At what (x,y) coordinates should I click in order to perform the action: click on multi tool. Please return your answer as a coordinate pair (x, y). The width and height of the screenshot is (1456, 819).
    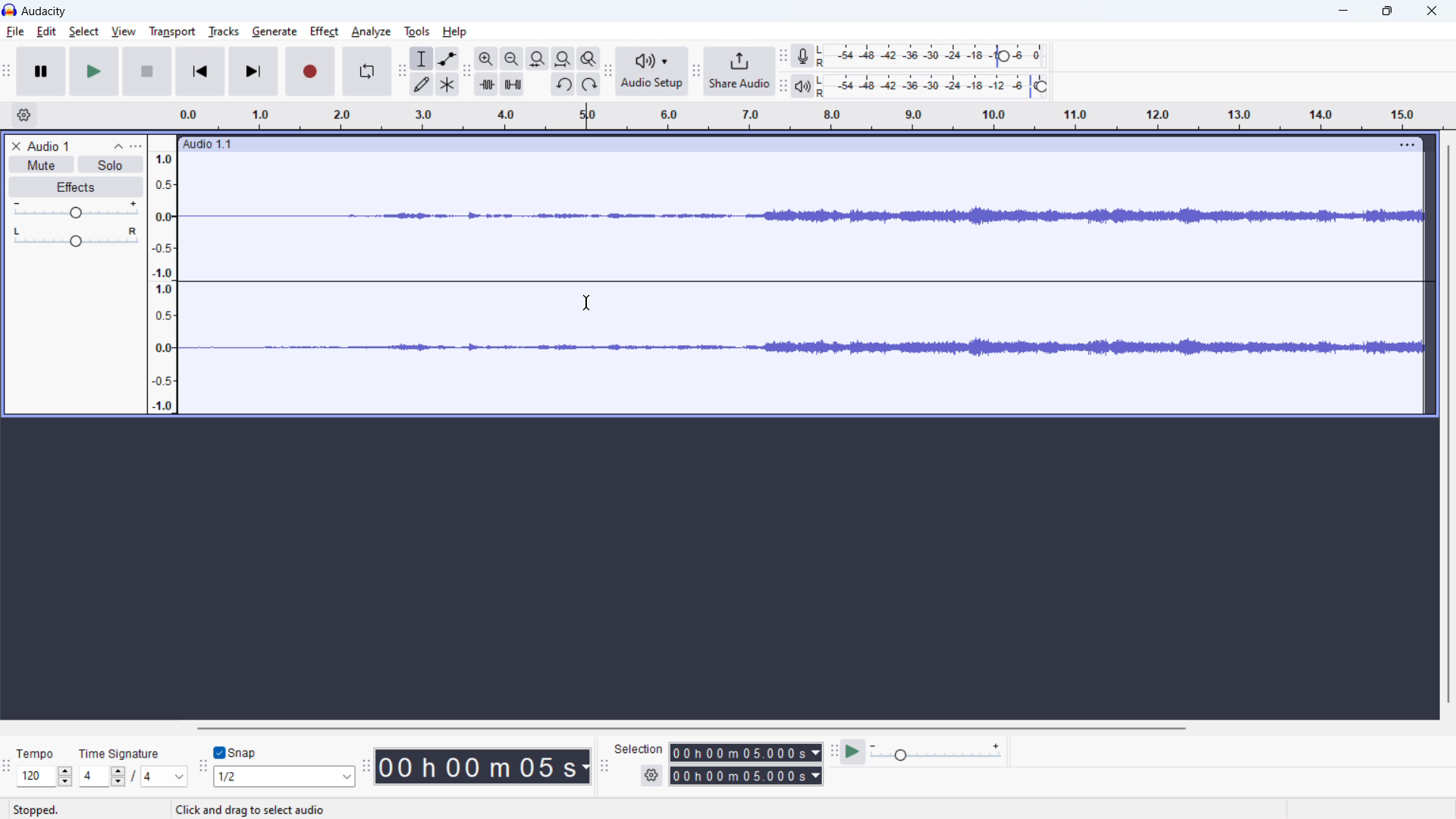
    Looking at the image, I should click on (448, 83).